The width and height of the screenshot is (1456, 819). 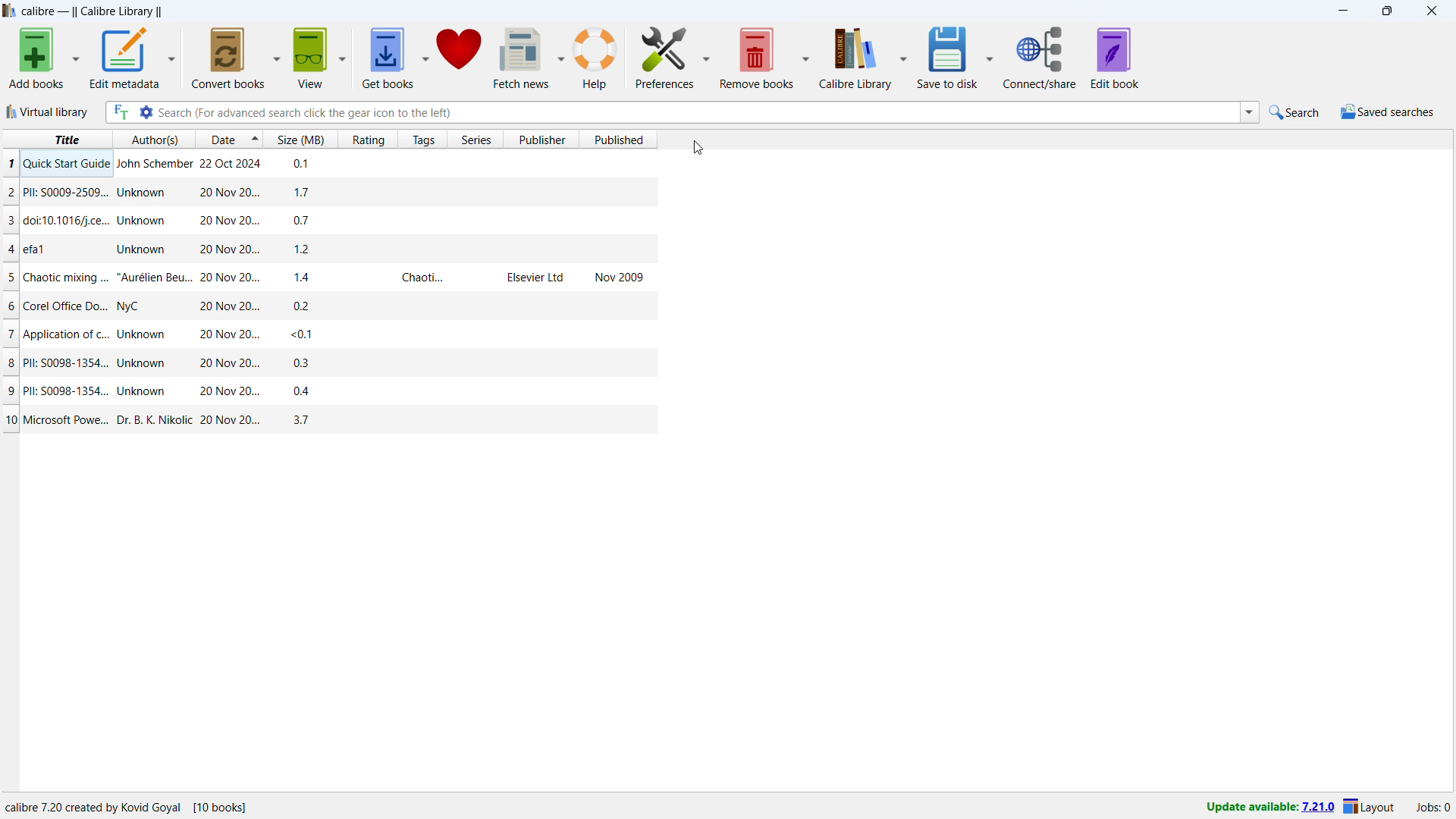 What do you see at coordinates (278, 56) in the screenshot?
I see `convert books options` at bounding box center [278, 56].